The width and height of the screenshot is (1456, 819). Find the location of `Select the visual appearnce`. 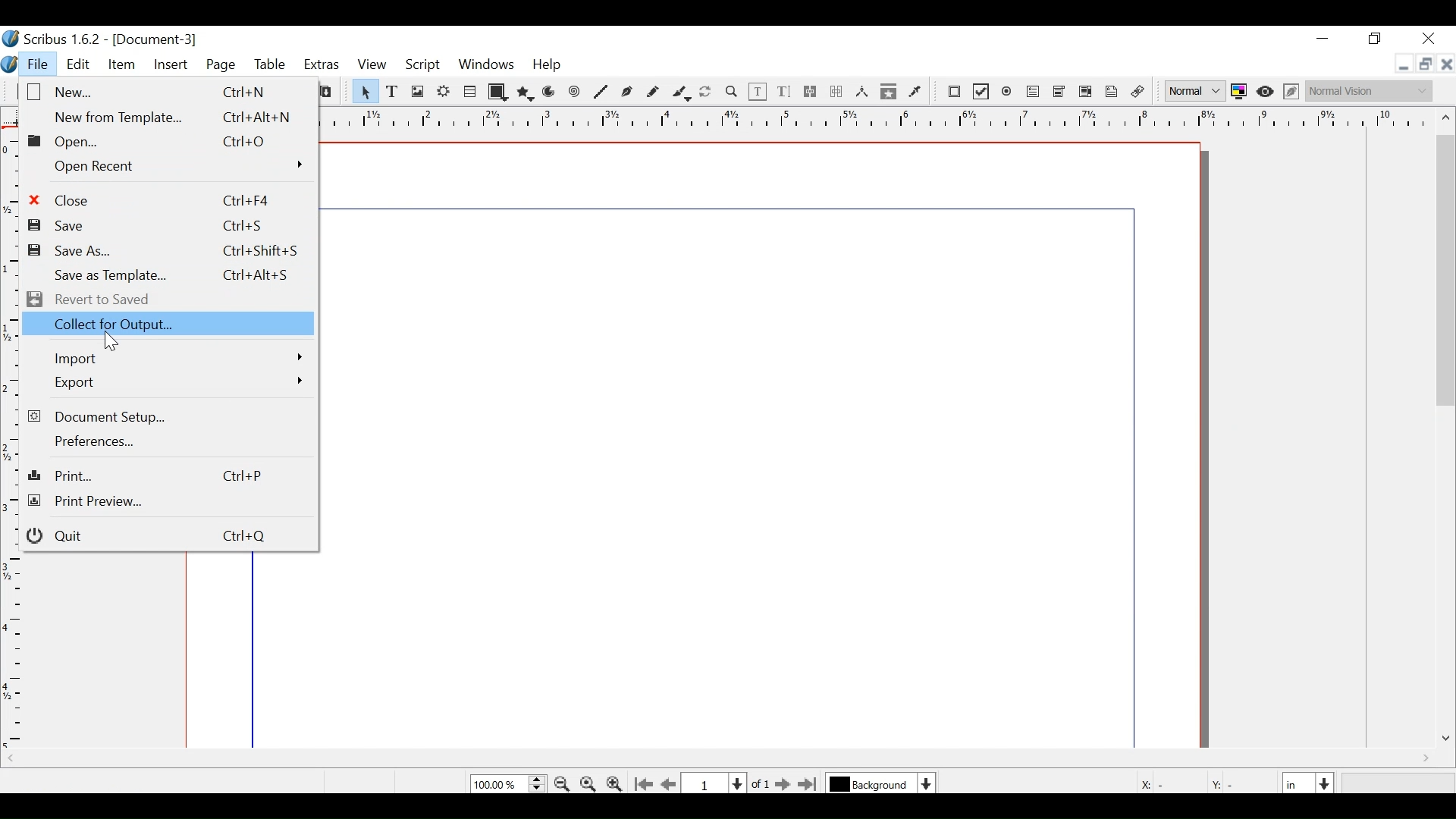

Select the visual appearnce is located at coordinates (1373, 91).